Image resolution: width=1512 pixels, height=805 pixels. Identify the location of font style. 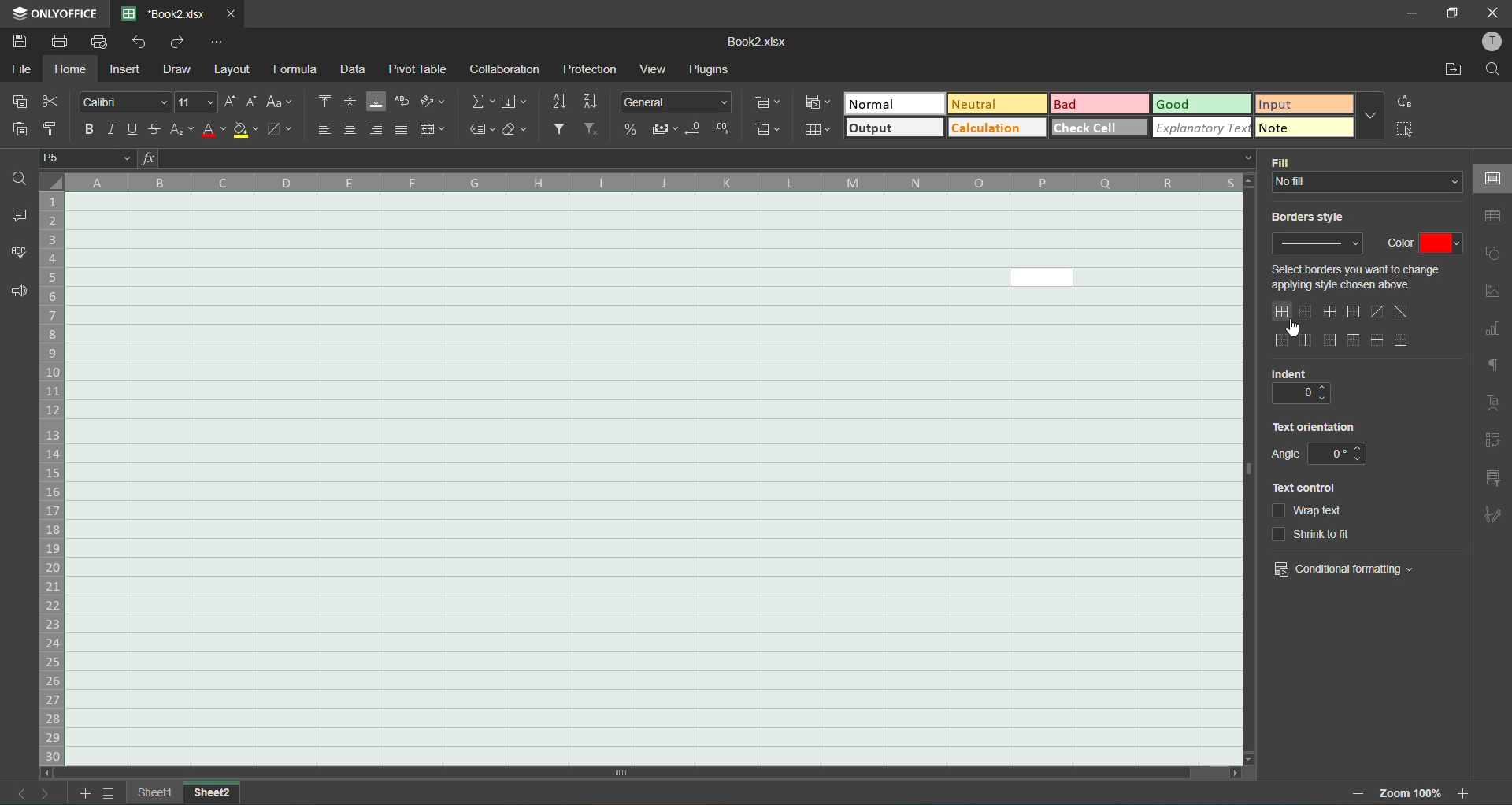
(126, 103).